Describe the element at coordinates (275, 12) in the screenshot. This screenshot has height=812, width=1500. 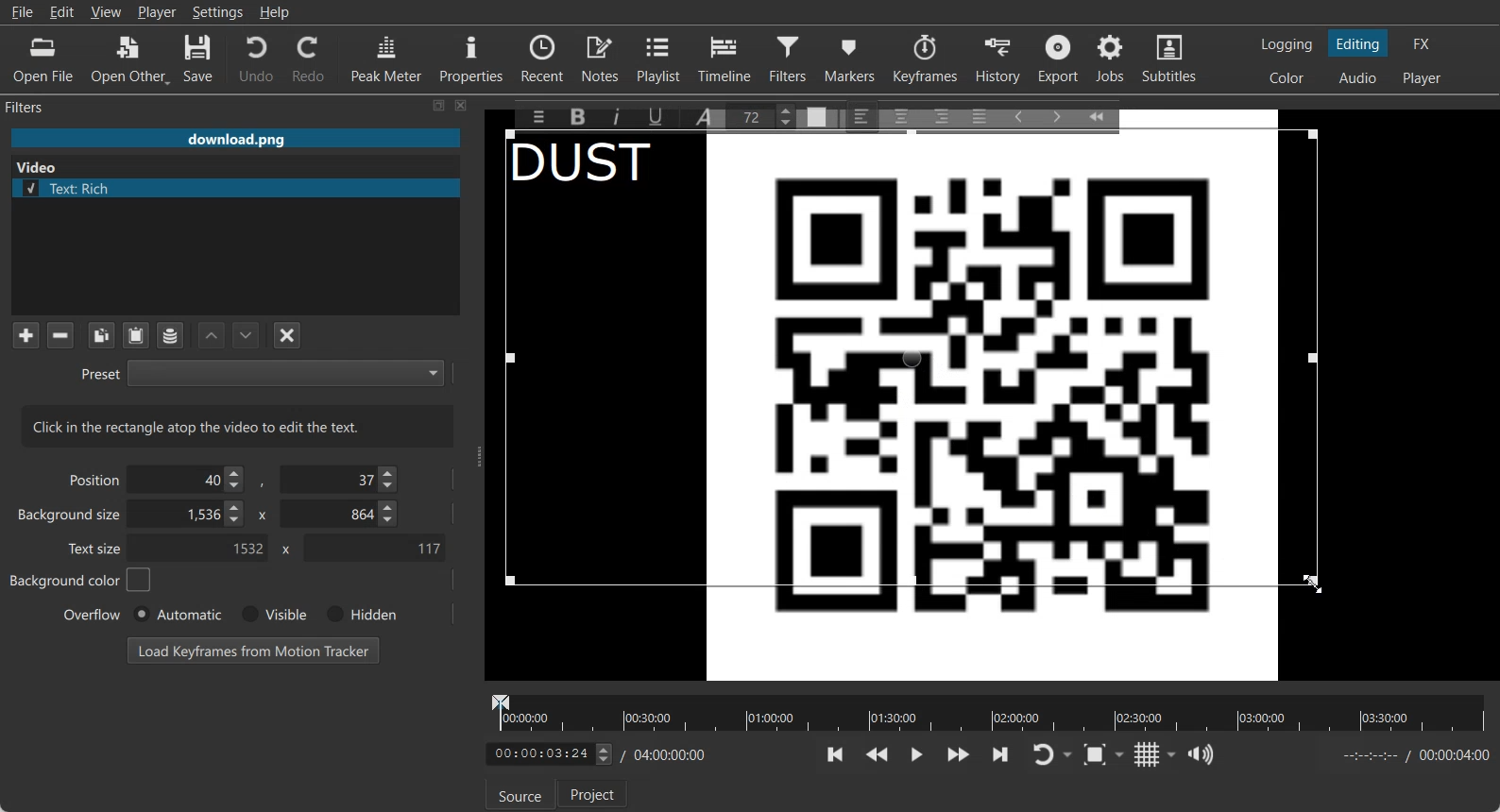
I see `Help` at that location.